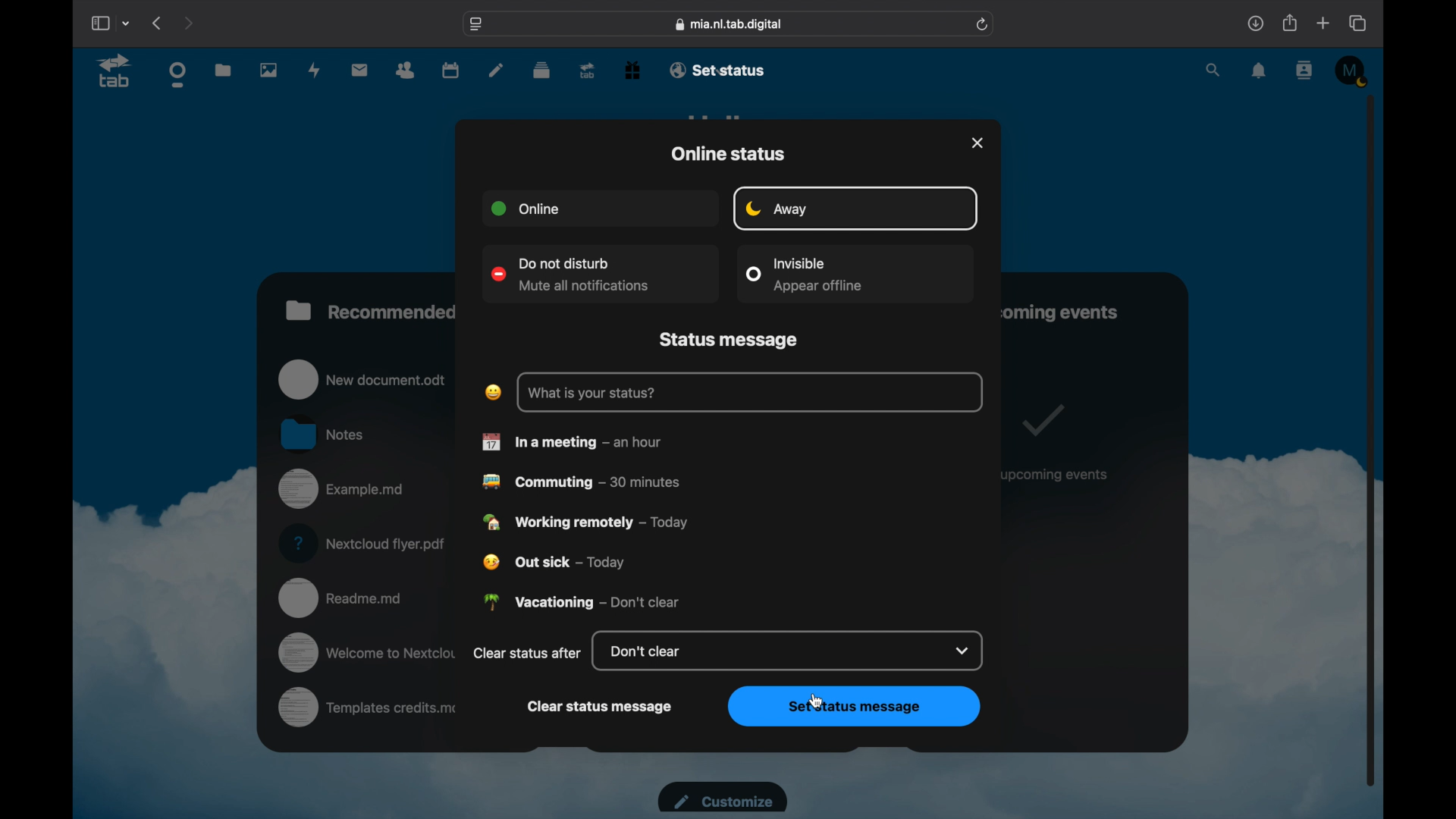 The image size is (1456, 819). What do you see at coordinates (572, 442) in the screenshot?
I see `in ameeting` at bounding box center [572, 442].